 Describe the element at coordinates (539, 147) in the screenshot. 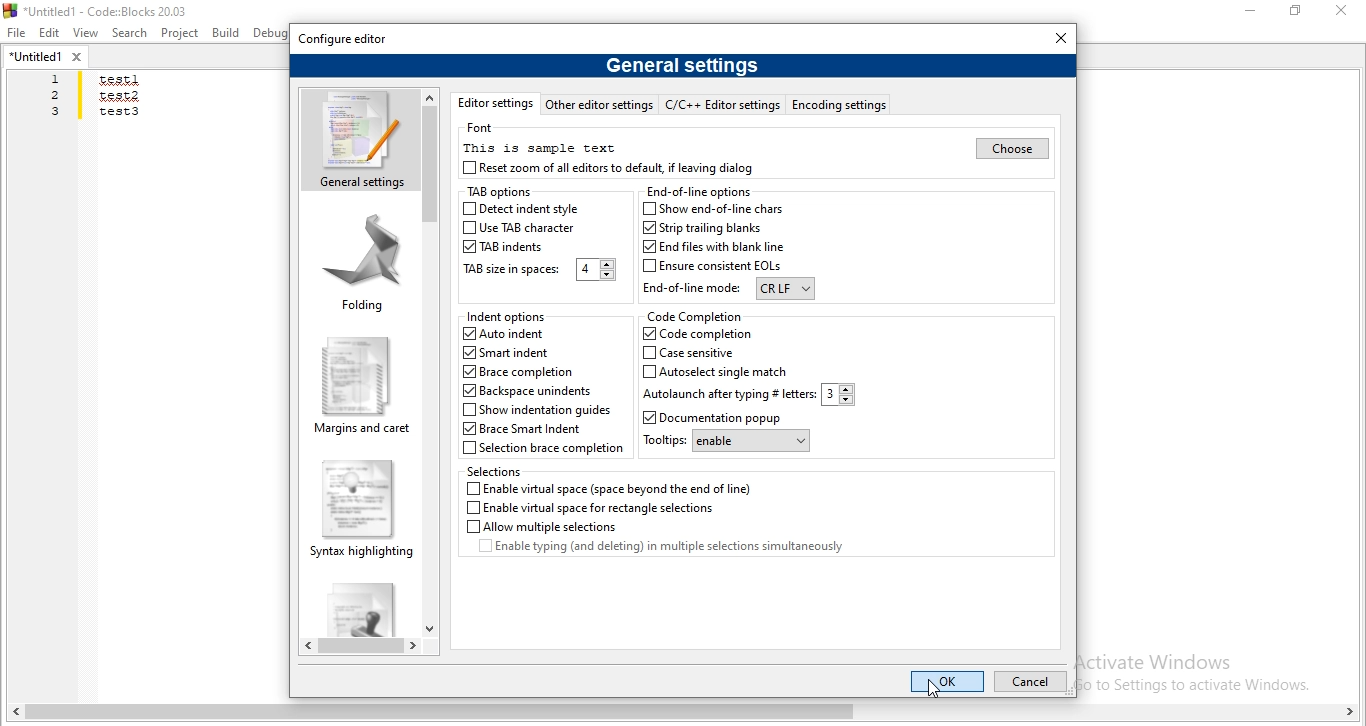

I see `This is sample text` at that location.